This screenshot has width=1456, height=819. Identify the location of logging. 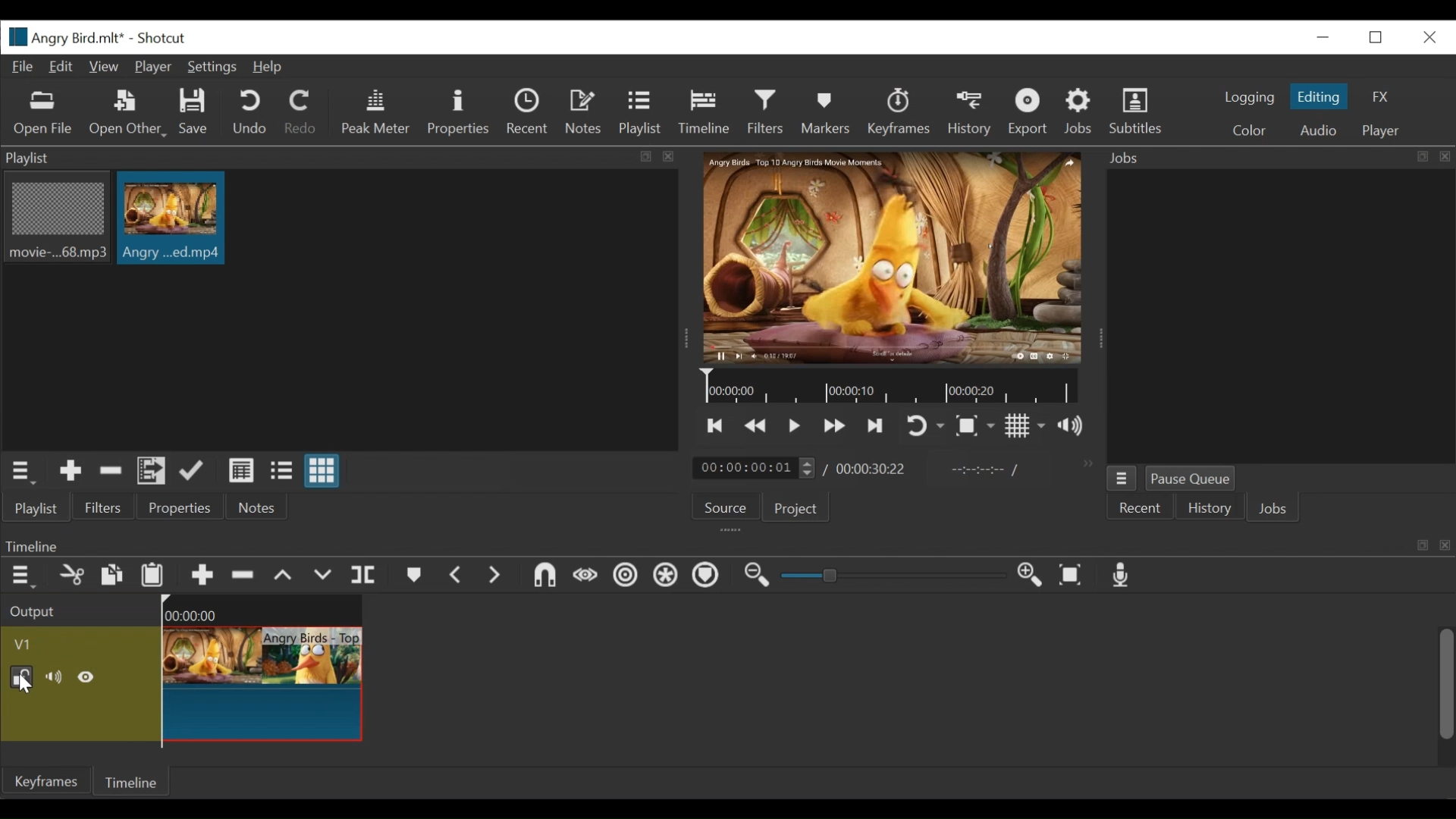
(1245, 98).